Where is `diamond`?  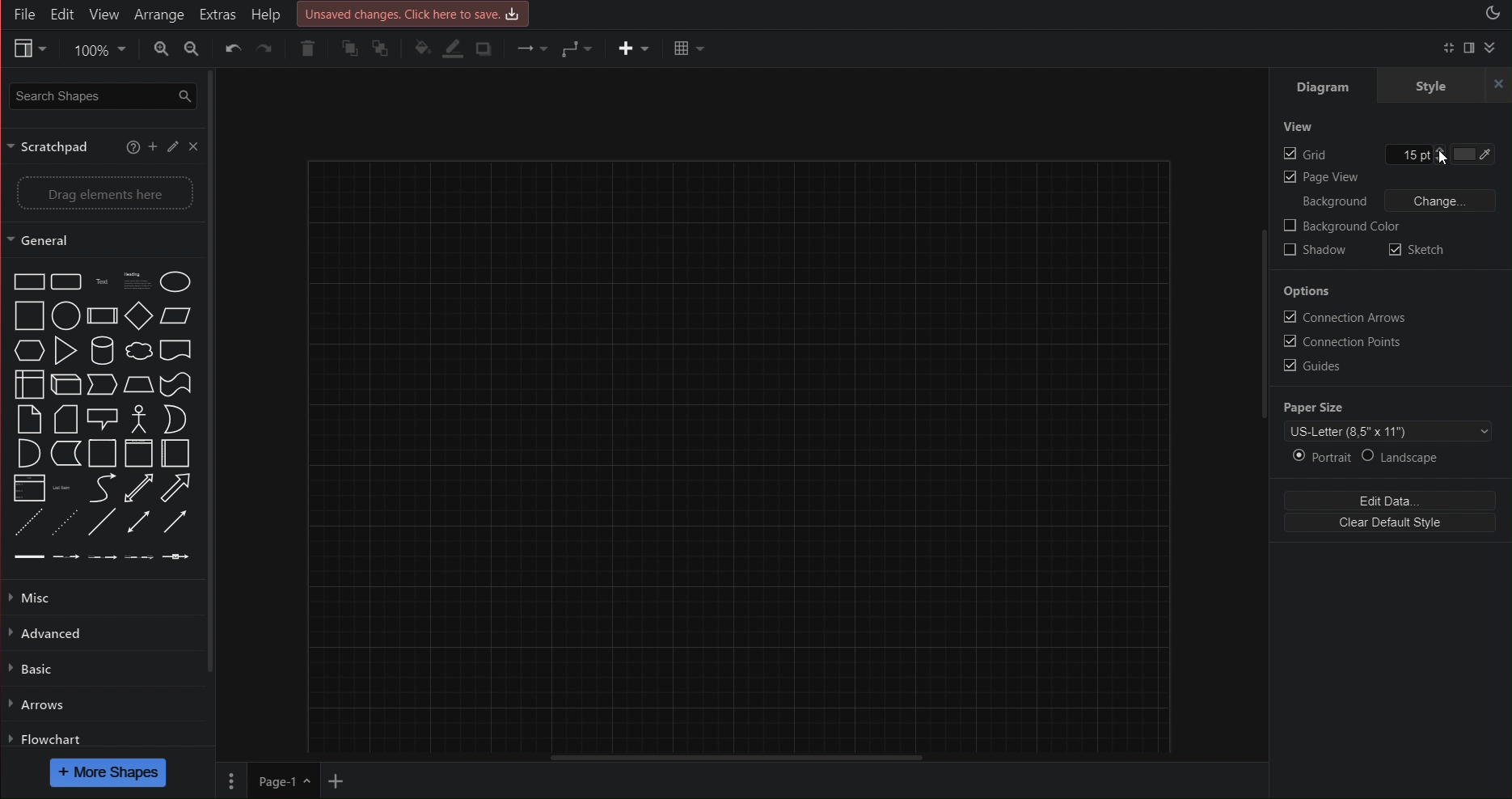
diamond is located at coordinates (136, 313).